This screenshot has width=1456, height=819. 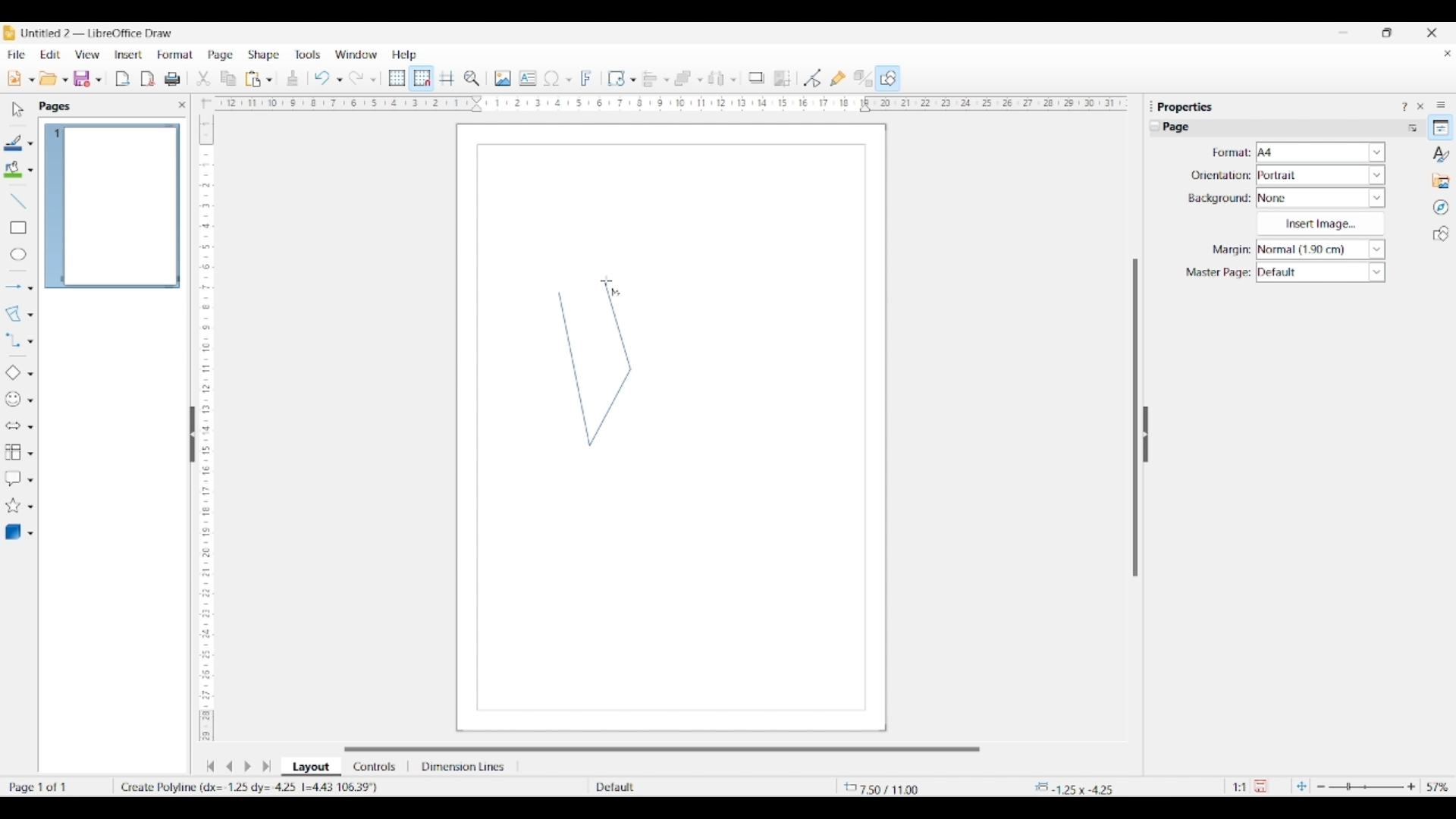 I want to click on Toggle point edit mode, so click(x=813, y=79).